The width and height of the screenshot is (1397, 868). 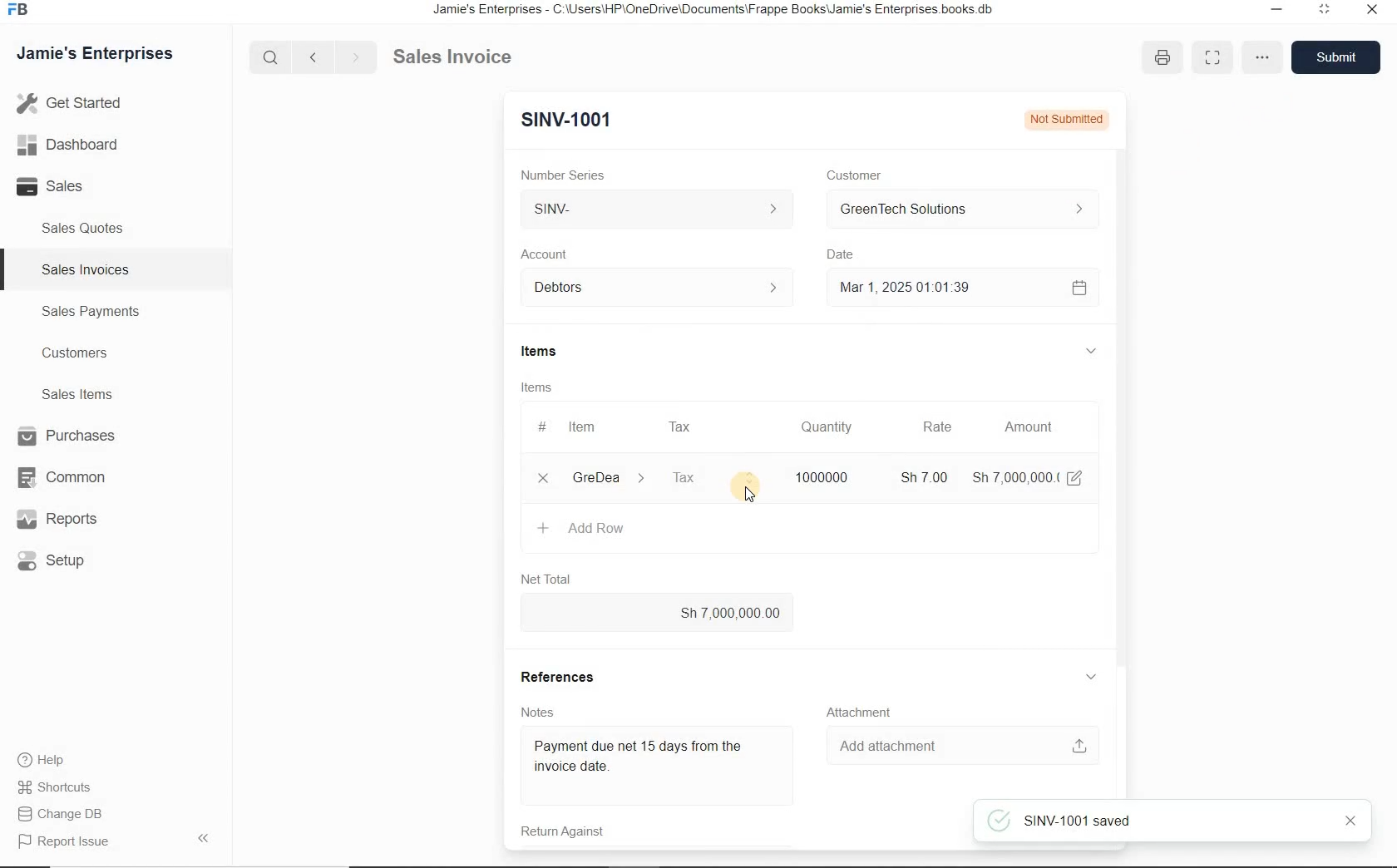 I want to click on vertical scrollbar, so click(x=1119, y=387).